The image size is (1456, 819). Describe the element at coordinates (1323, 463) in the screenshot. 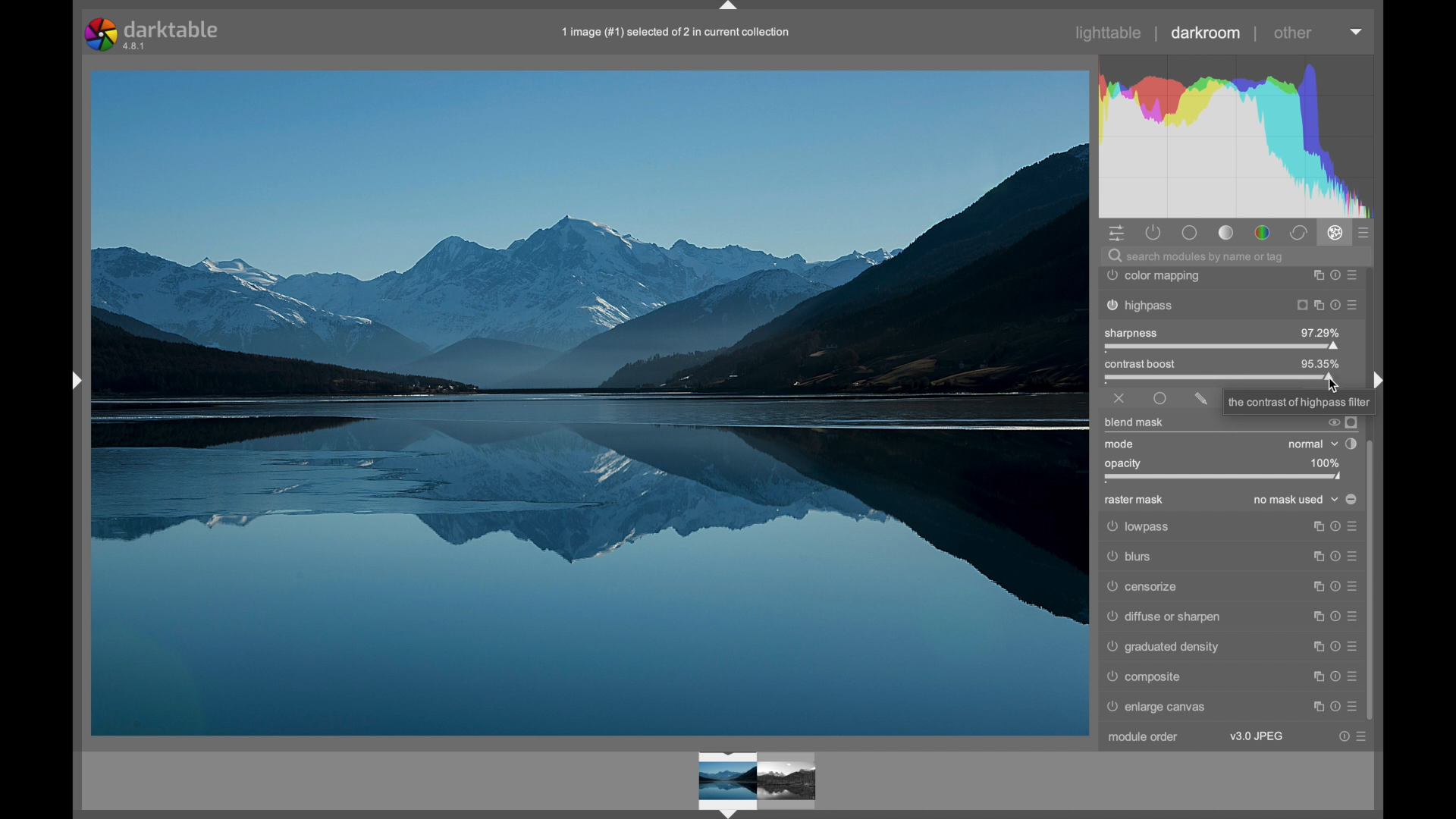

I see `100%` at that location.